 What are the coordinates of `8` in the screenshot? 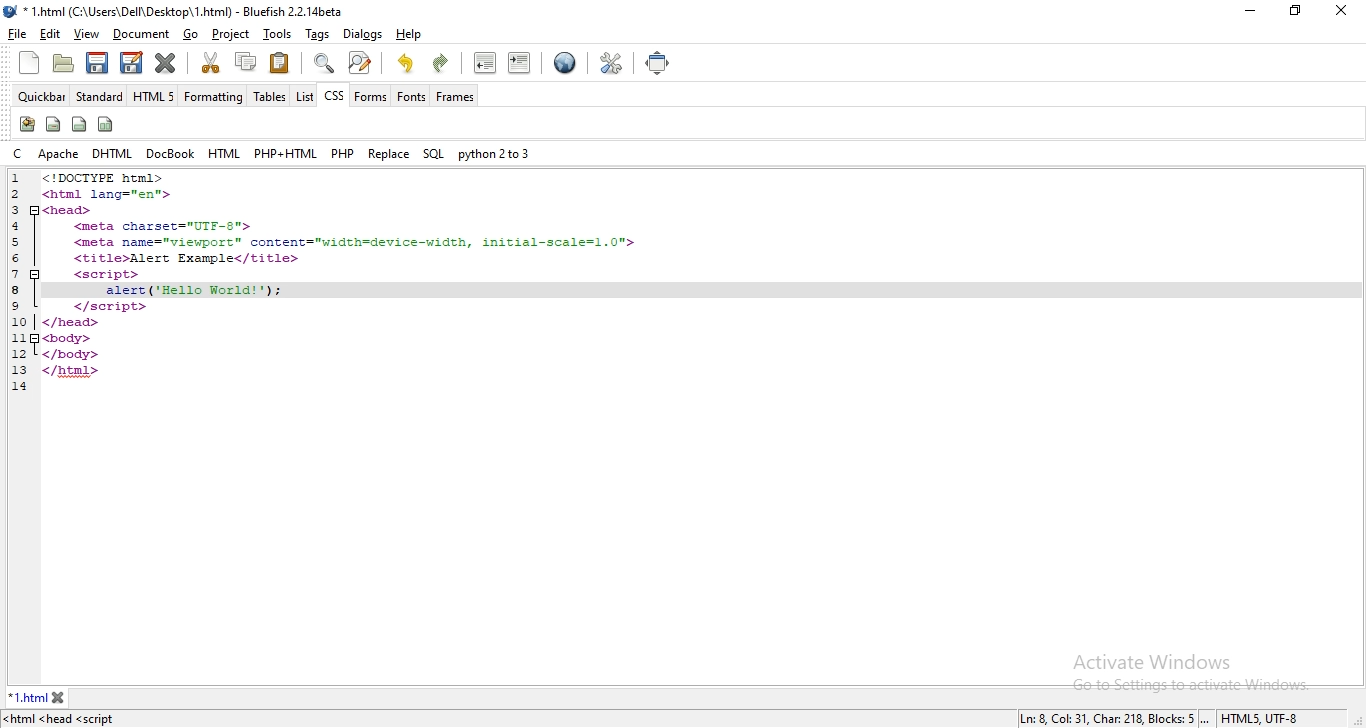 It's located at (15, 290).